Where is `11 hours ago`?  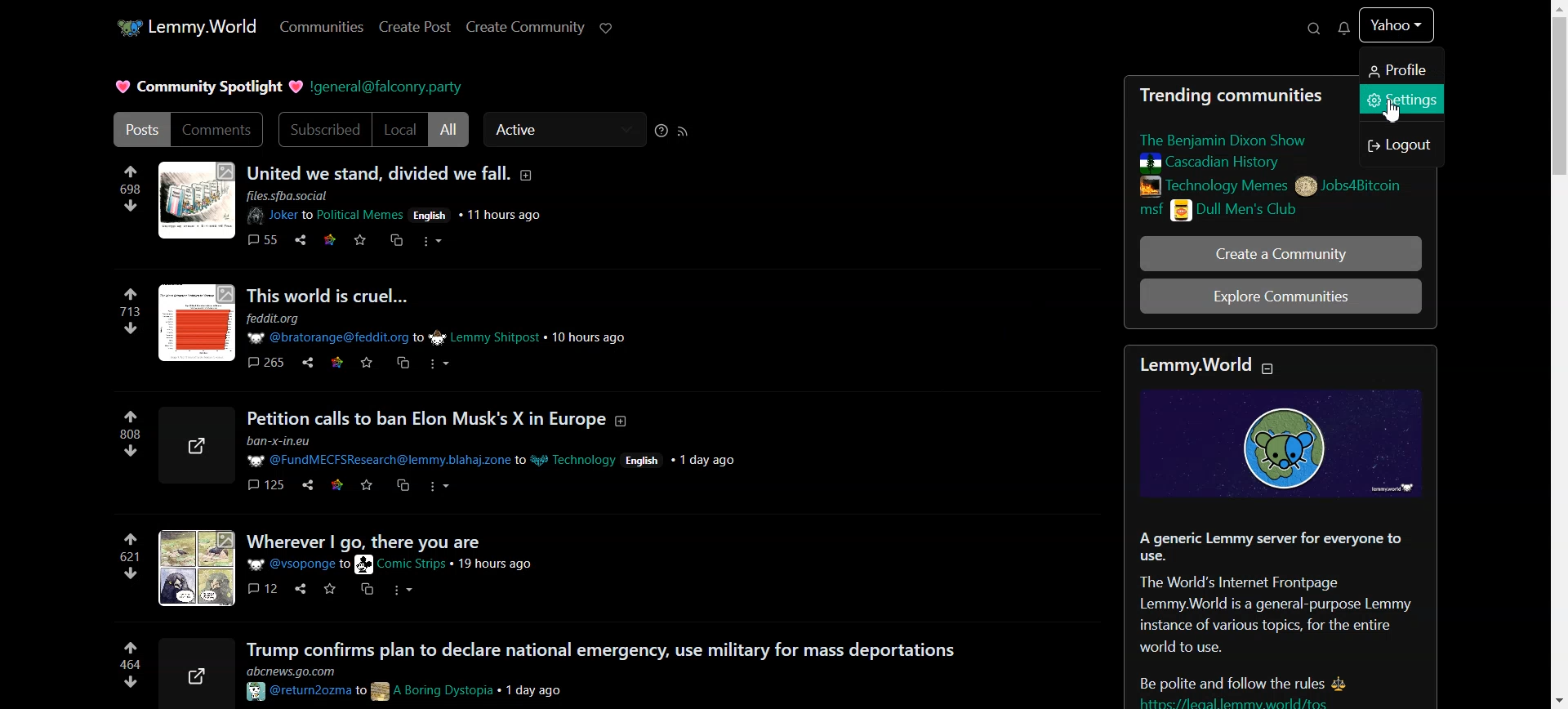
11 hours ago is located at coordinates (503, 212).